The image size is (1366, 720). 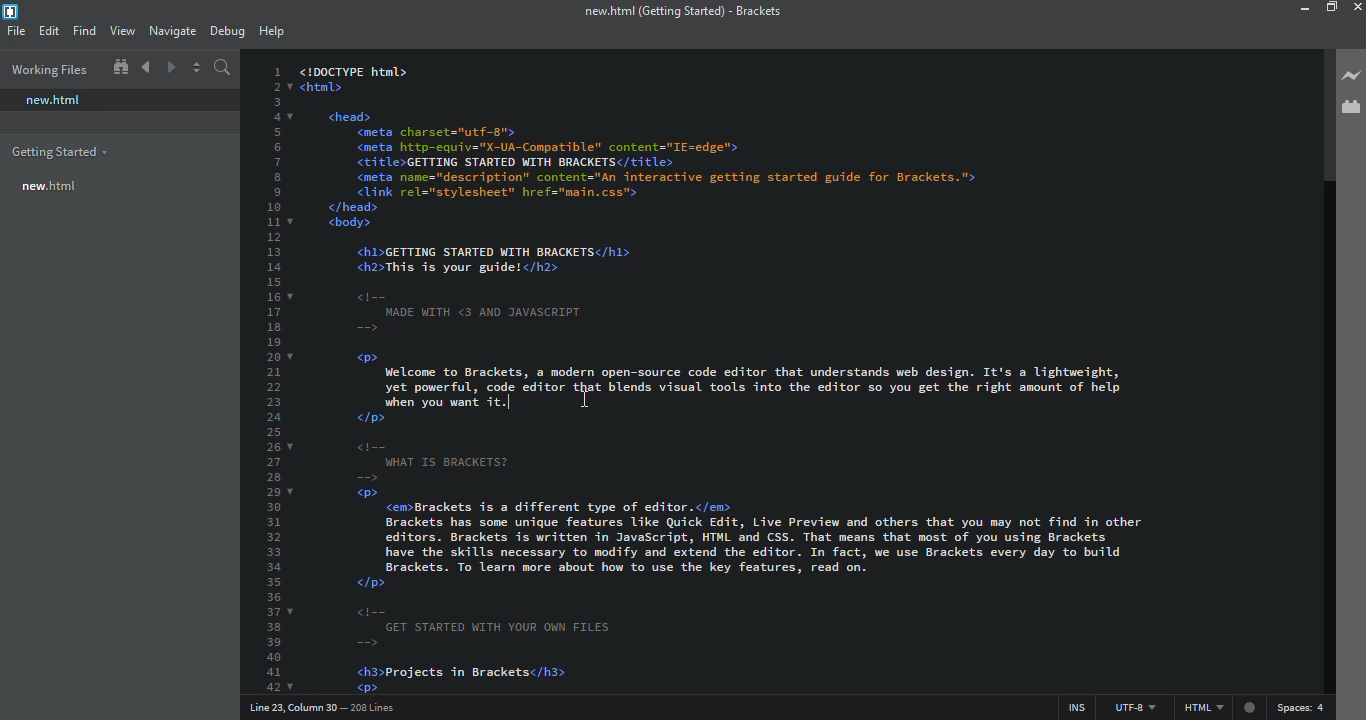 What do you see at coordinates (173, 31) in the screenshot?
I see `navigate` at bounding box center [173, 31].